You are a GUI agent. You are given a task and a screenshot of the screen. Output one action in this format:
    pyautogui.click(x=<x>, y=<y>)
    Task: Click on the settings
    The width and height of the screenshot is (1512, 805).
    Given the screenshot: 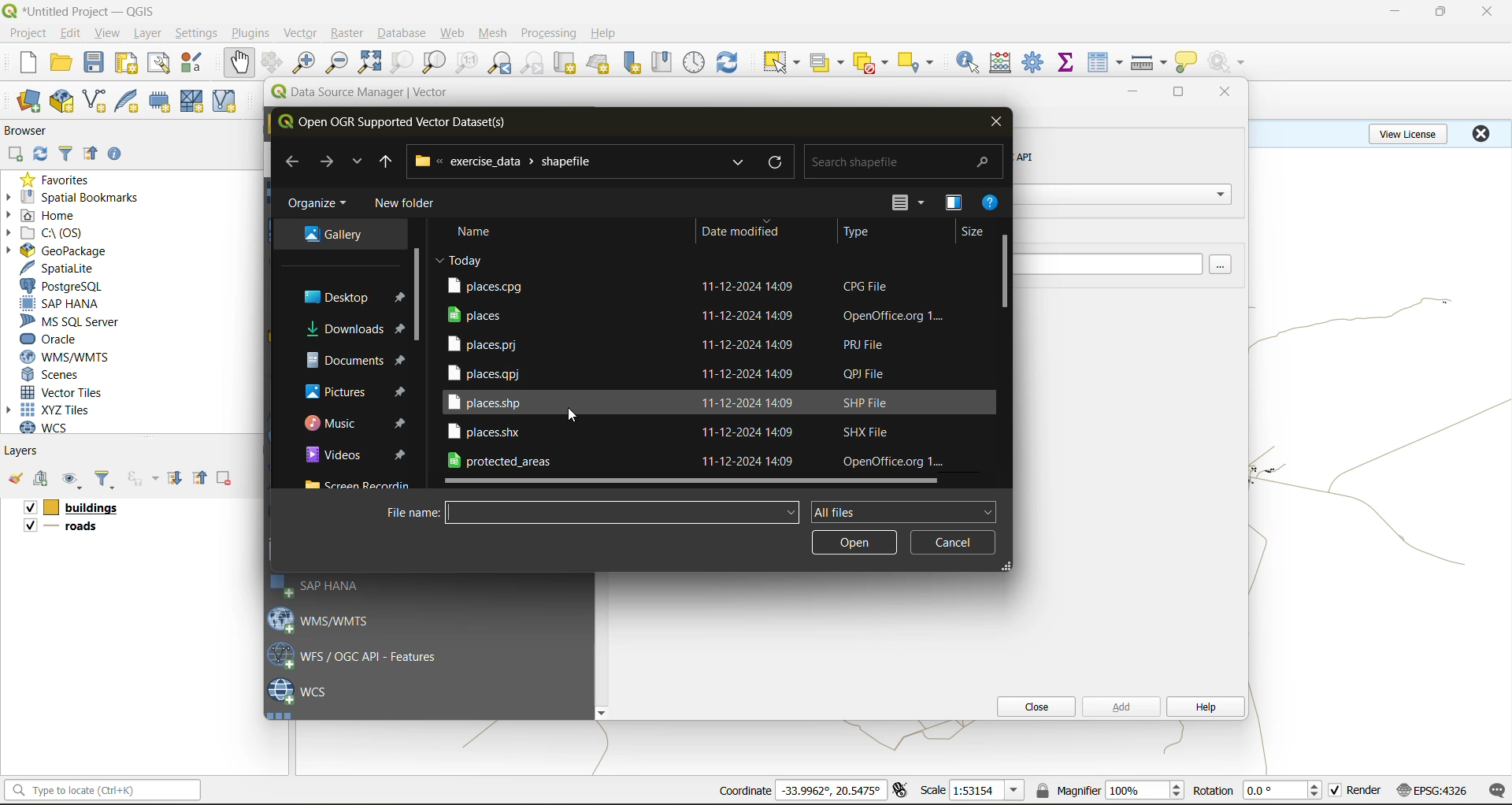 What is the action you would take?
    pyautogui.click(x=196, y=35)
    